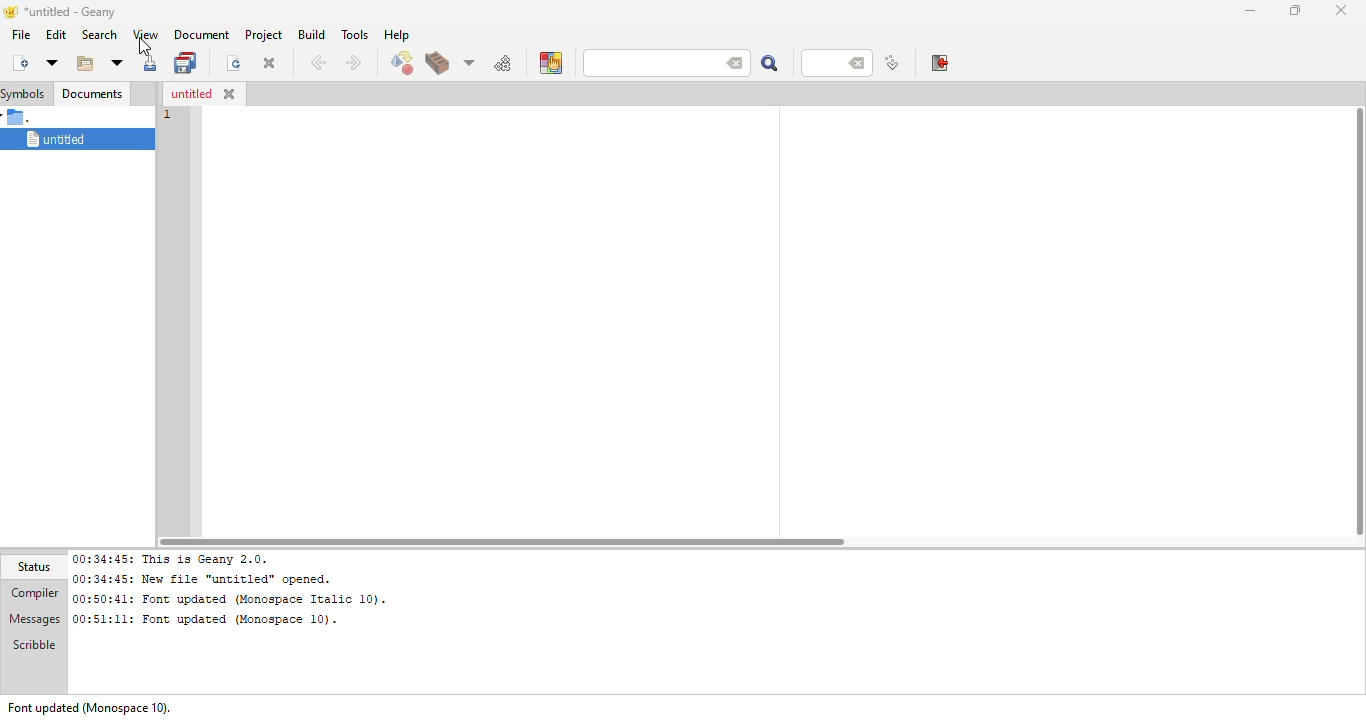  What do you see at coordinates (769, 63) in the screenshot?
I see `search` at bounding box center [769, 63].